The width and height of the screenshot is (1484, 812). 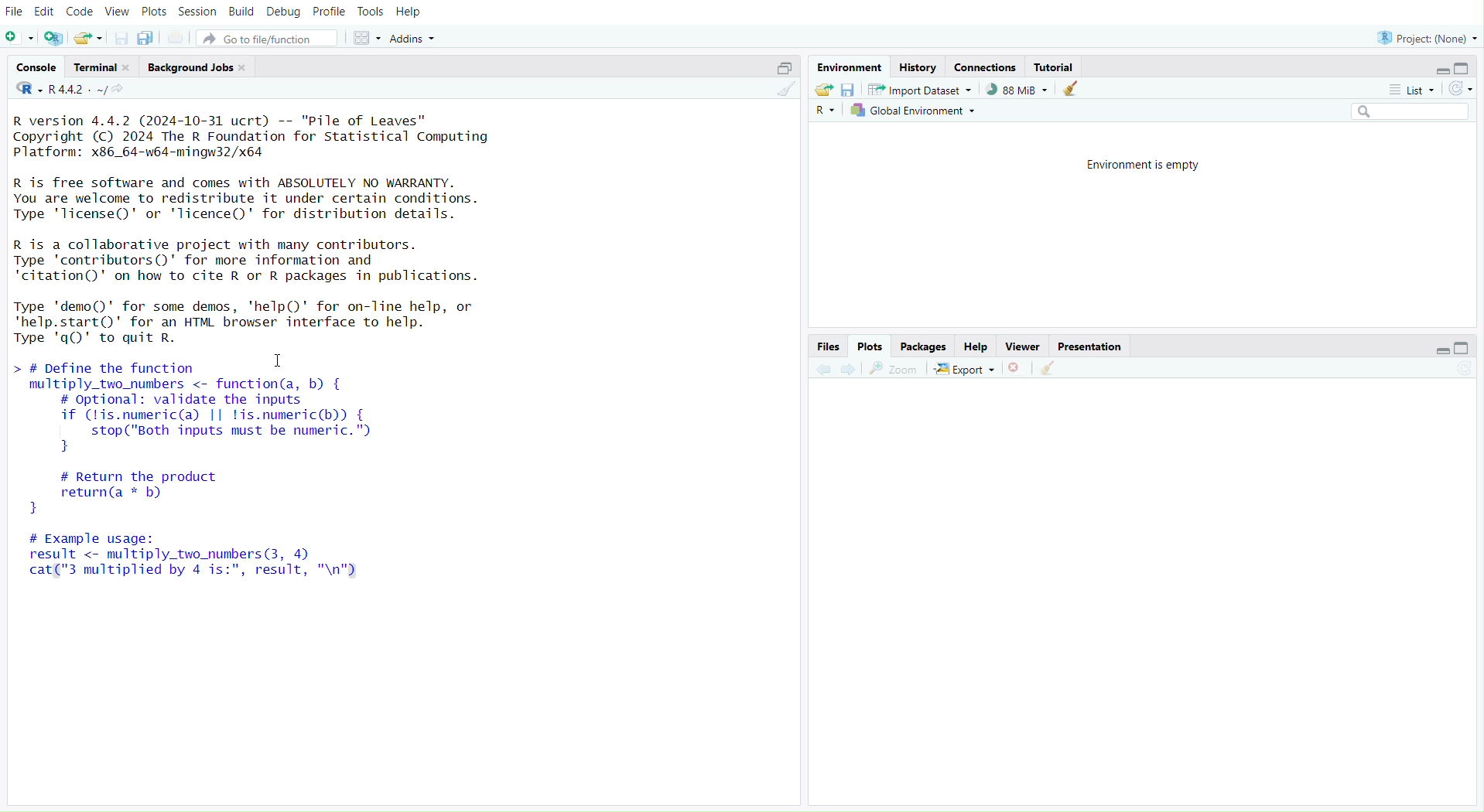 What do you see at coordinates (1022, 347) in the screenshot?
I see `Viewer` at bounding box center [1022, 347].